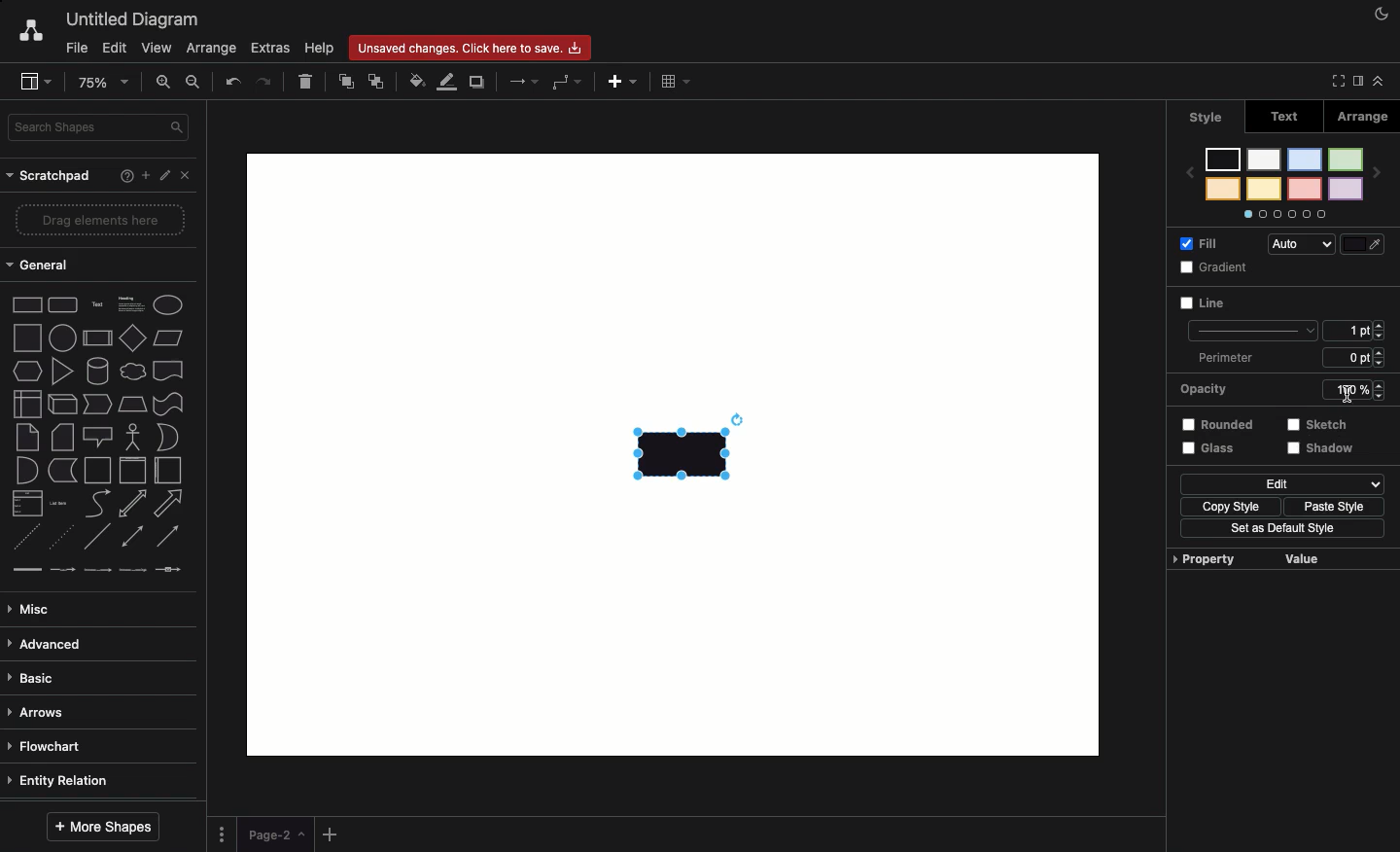 This screenshot has height=852, width=1400. I want to click on Opacity, so click(1202, 388).